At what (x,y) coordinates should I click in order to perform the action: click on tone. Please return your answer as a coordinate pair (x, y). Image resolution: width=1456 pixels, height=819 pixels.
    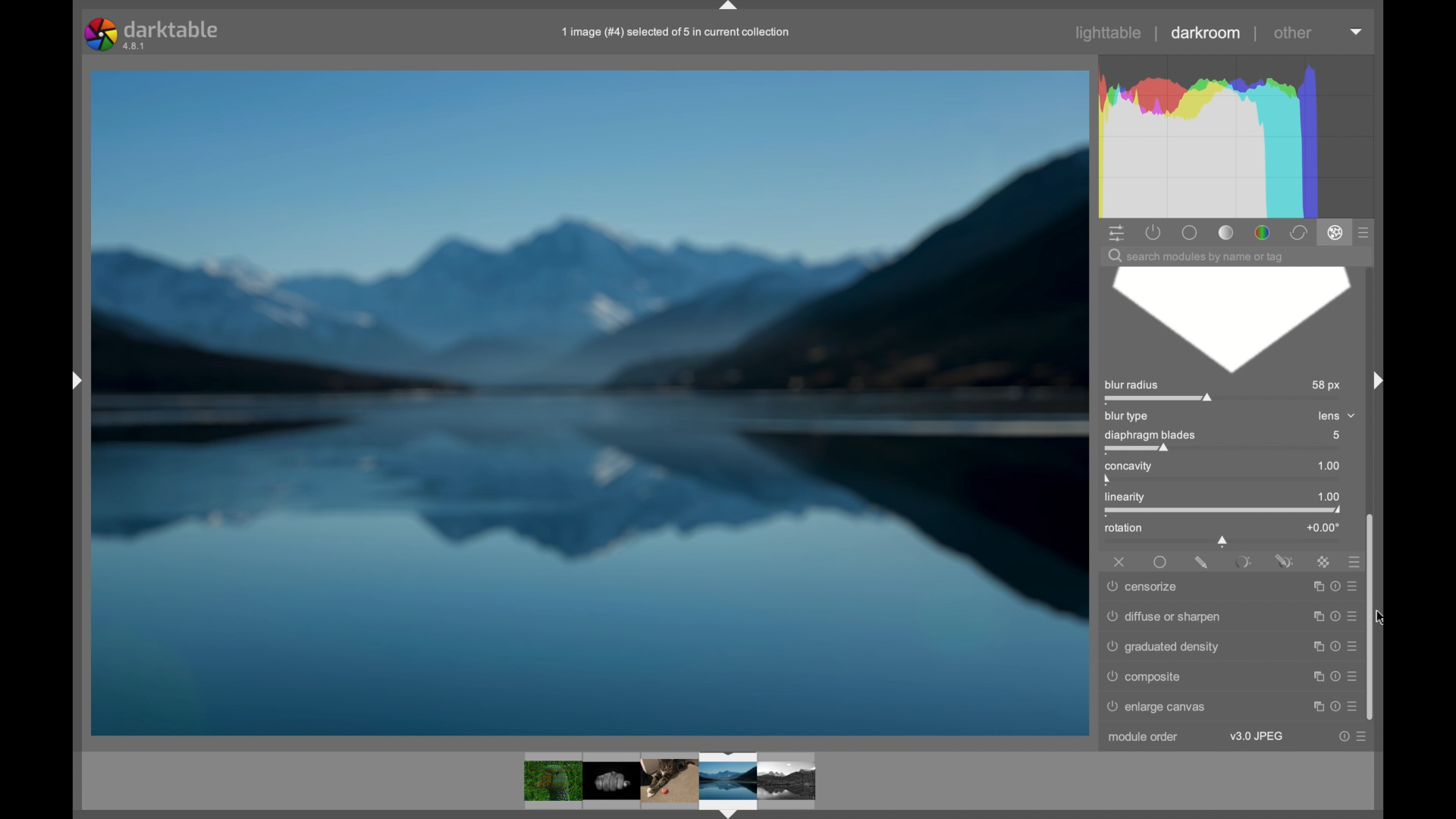
    Looking at the image, I should click on (1225, 232).